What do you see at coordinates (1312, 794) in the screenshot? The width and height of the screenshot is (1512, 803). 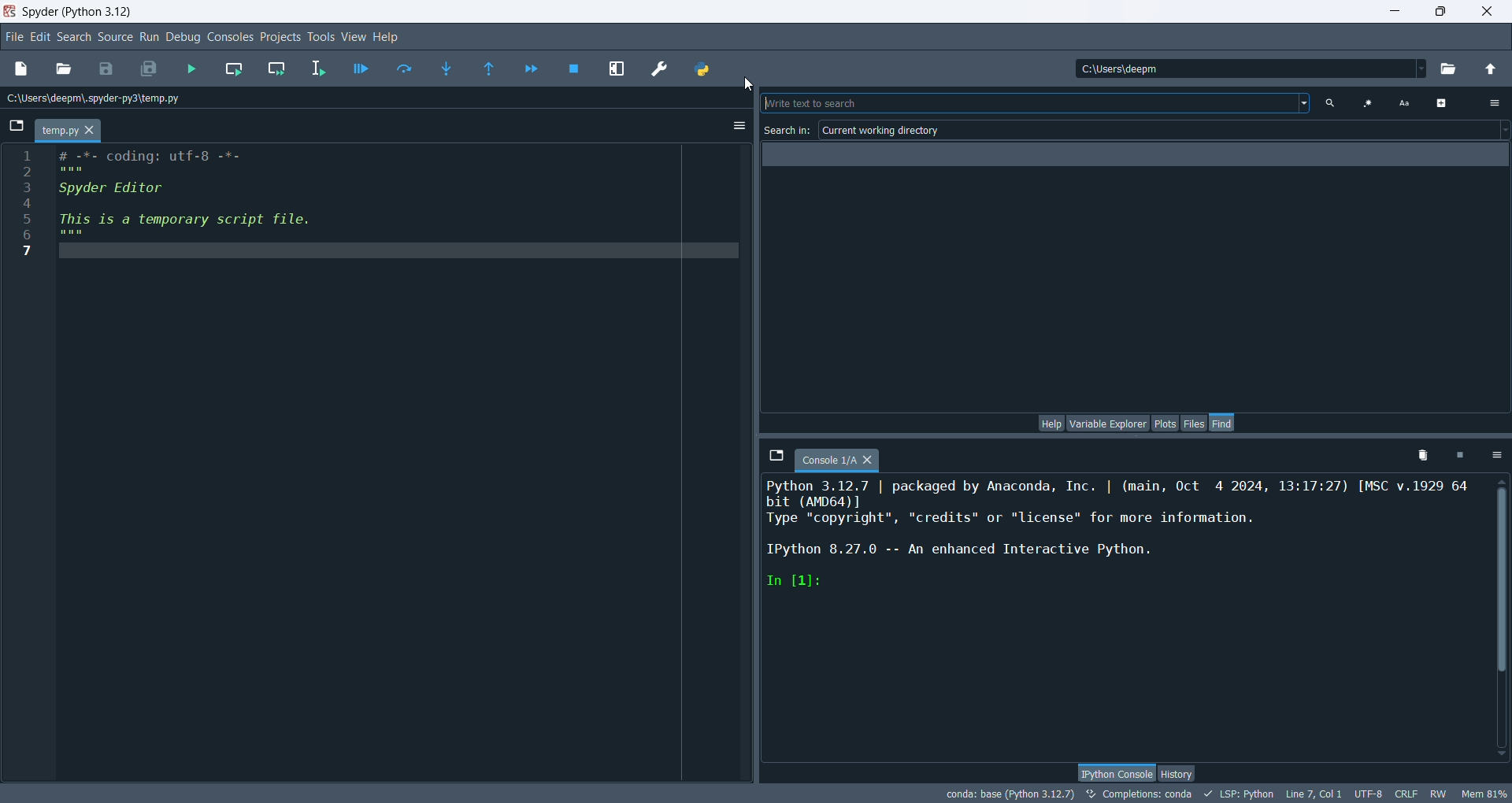 I see `line, col` at bounding box center [1312, 794].